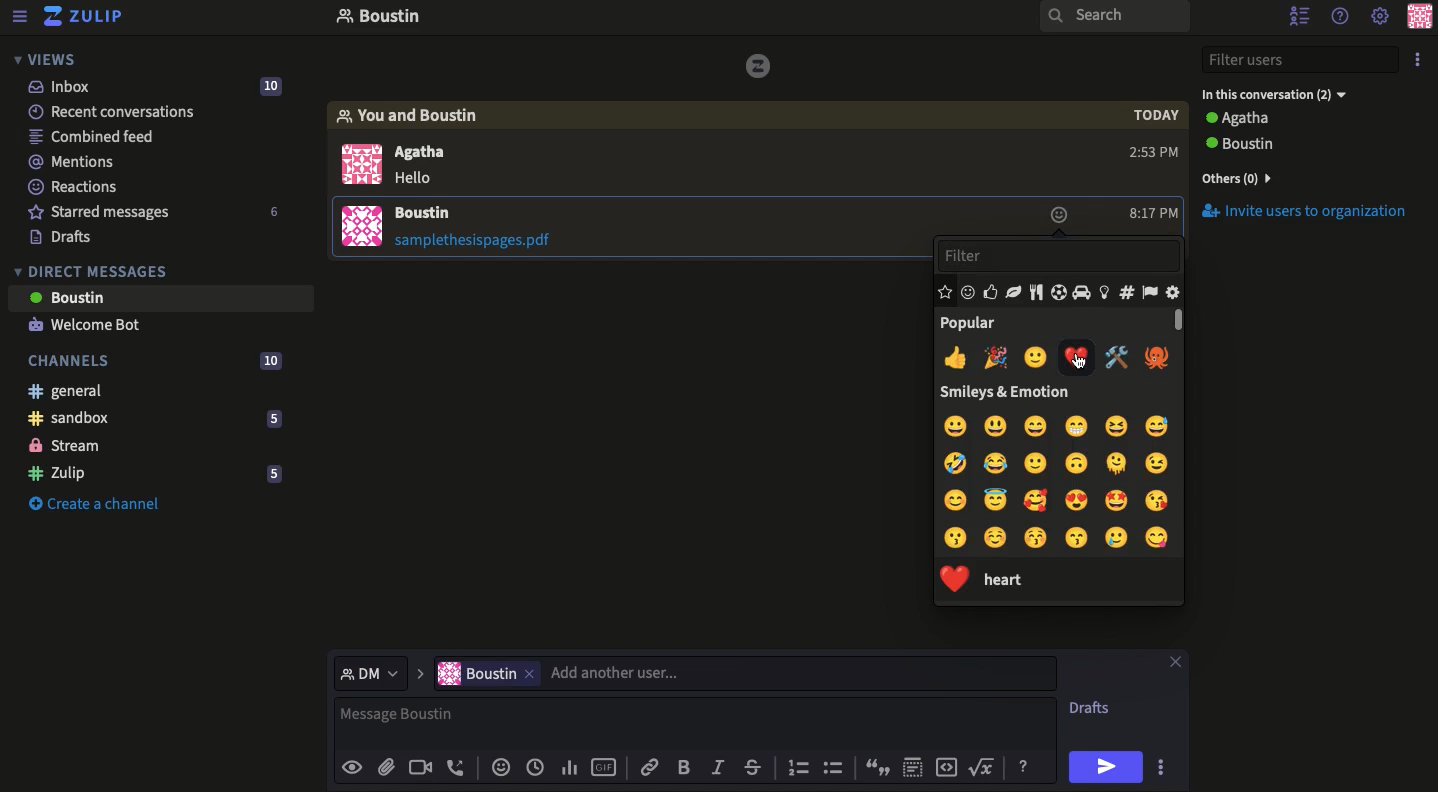  Describe the element at coordinates (1076, 355) in the screenshot. I see `red heart` at that location.